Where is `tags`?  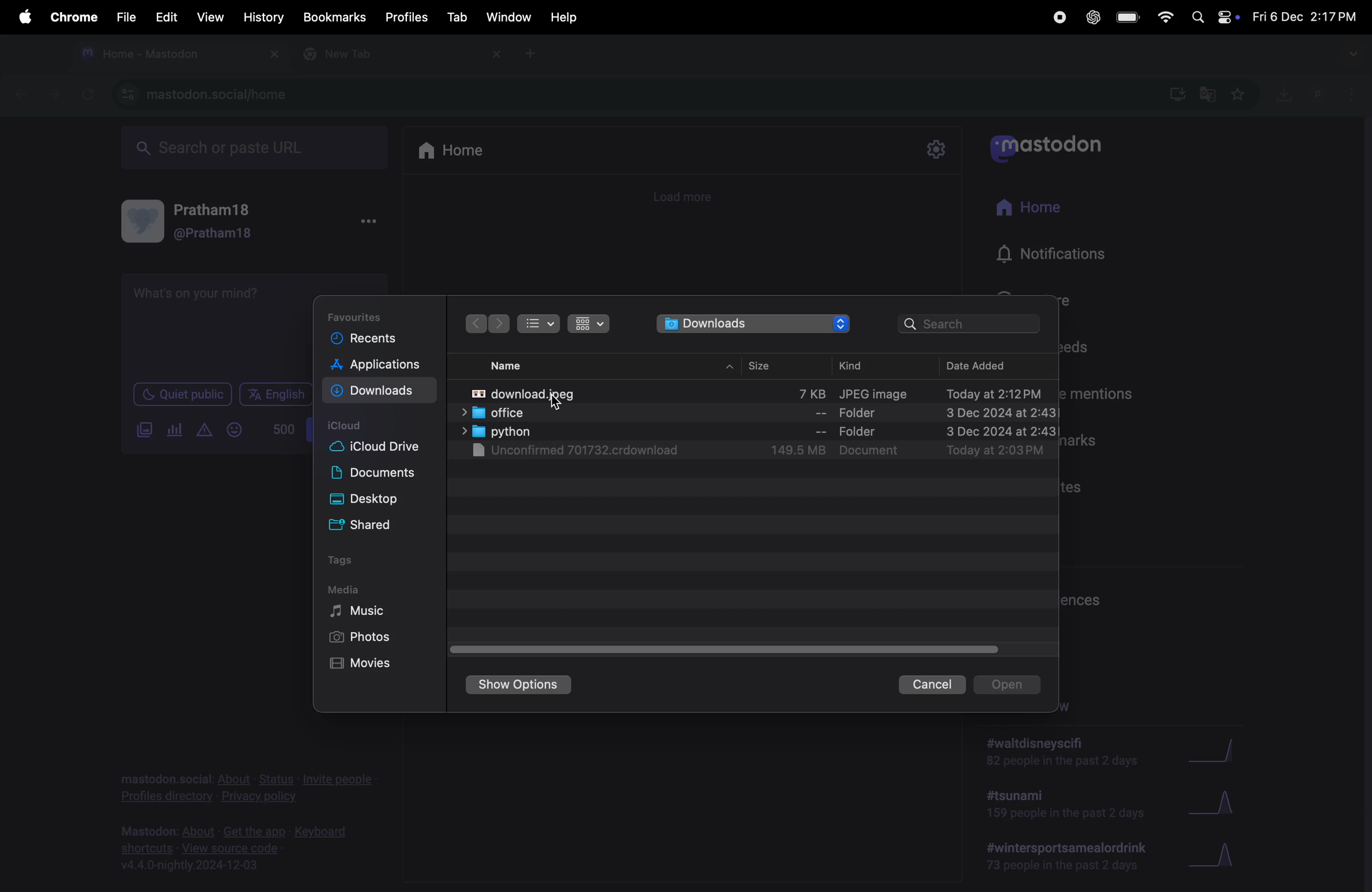
tags is located at coordinates (341, 561).